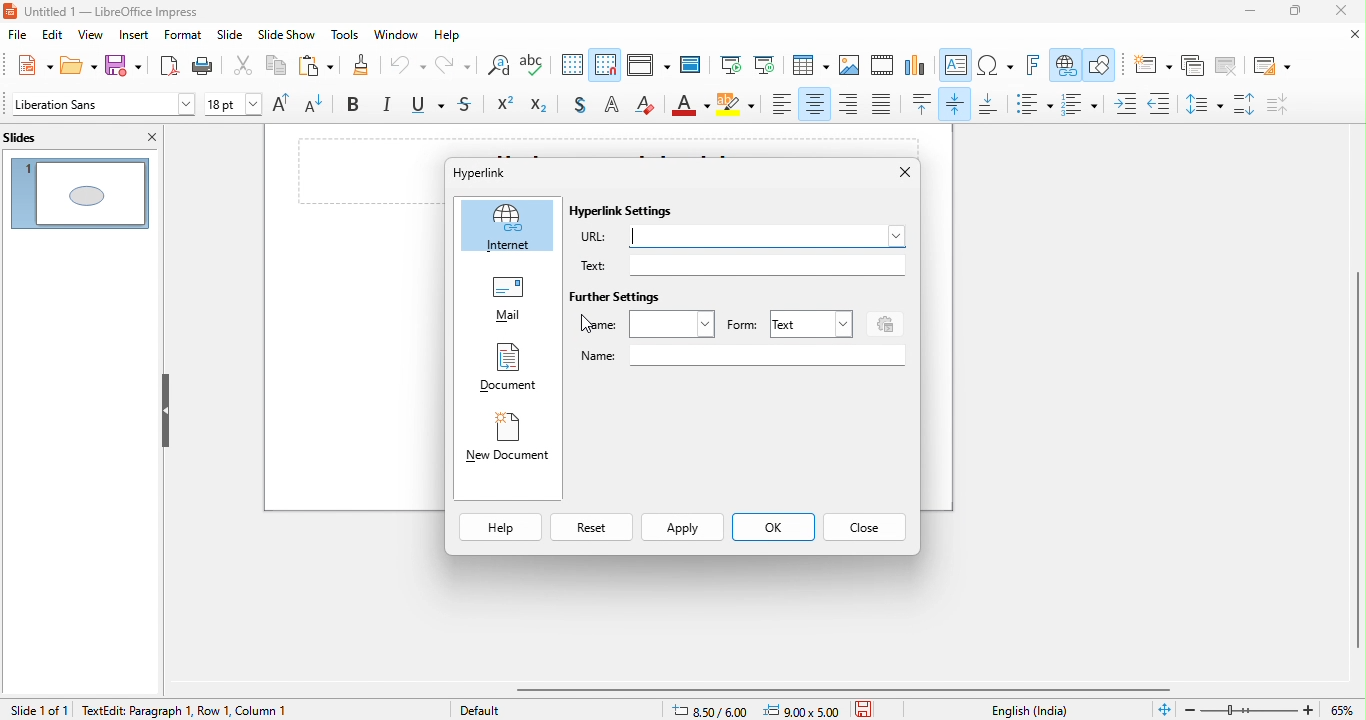 Image resolution: width=1366 pixels, height=720 pixels. Describe the element at coordinates (989, 105) in the screenshot. I see `align bottom` at that location.